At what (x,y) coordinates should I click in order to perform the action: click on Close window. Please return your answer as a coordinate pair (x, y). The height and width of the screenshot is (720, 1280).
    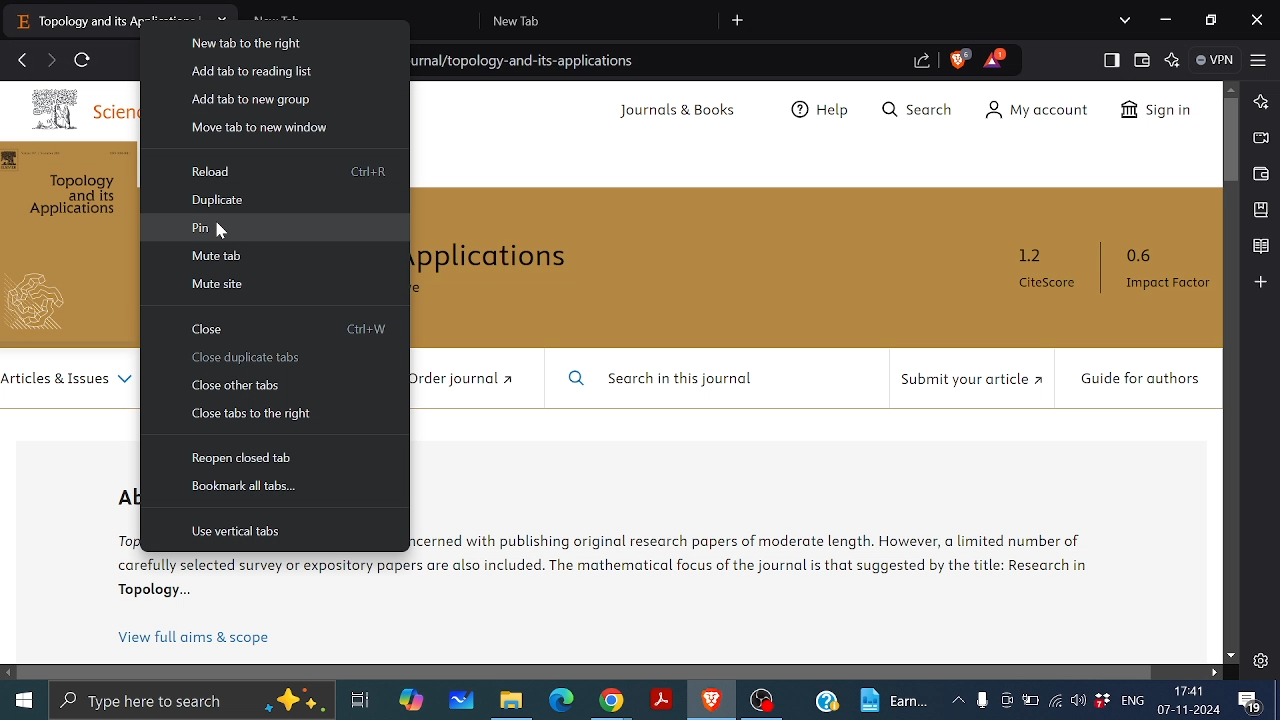
    Looking at the image, I should click on (1259, 20).